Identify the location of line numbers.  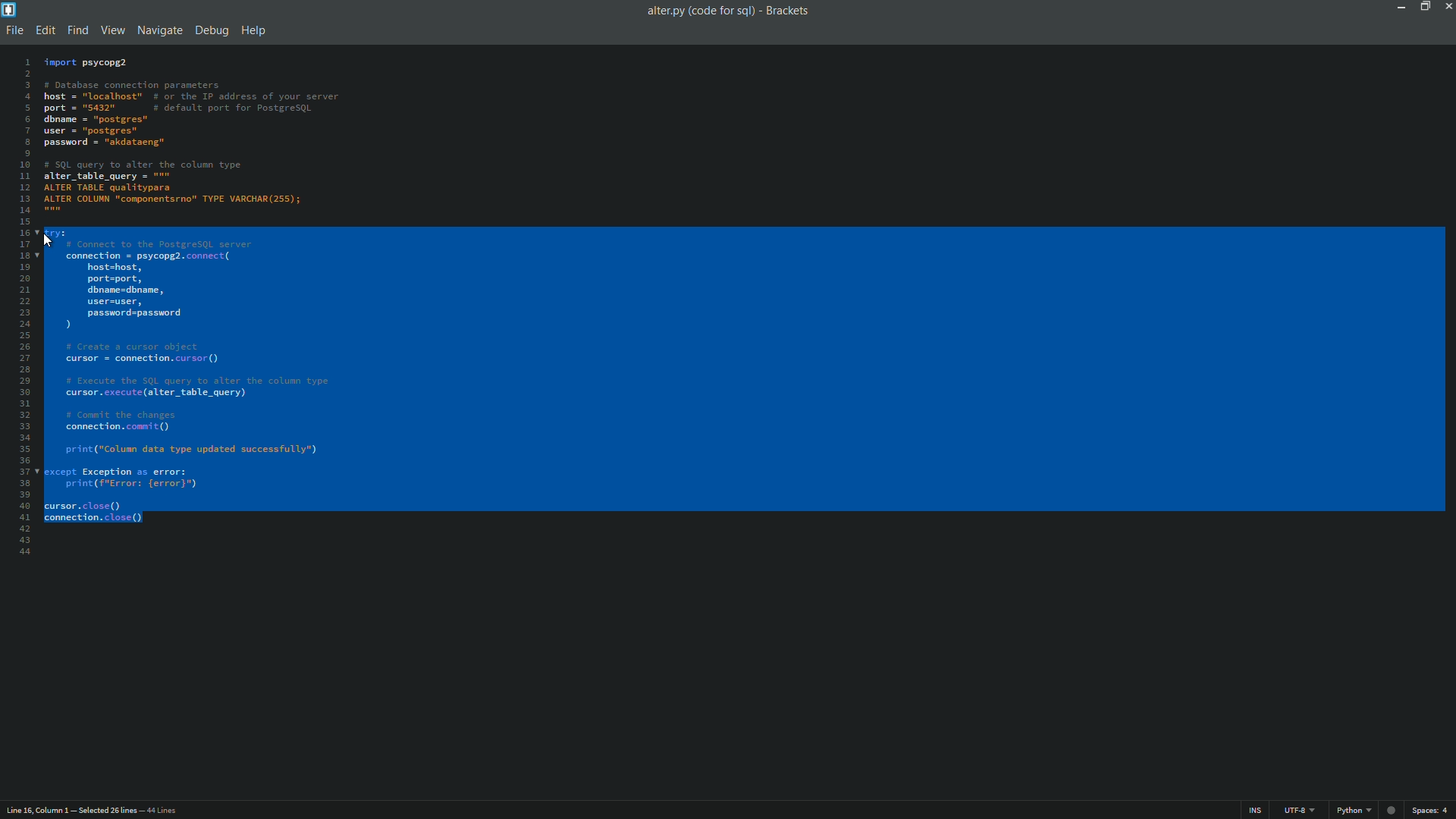
(22, 306).